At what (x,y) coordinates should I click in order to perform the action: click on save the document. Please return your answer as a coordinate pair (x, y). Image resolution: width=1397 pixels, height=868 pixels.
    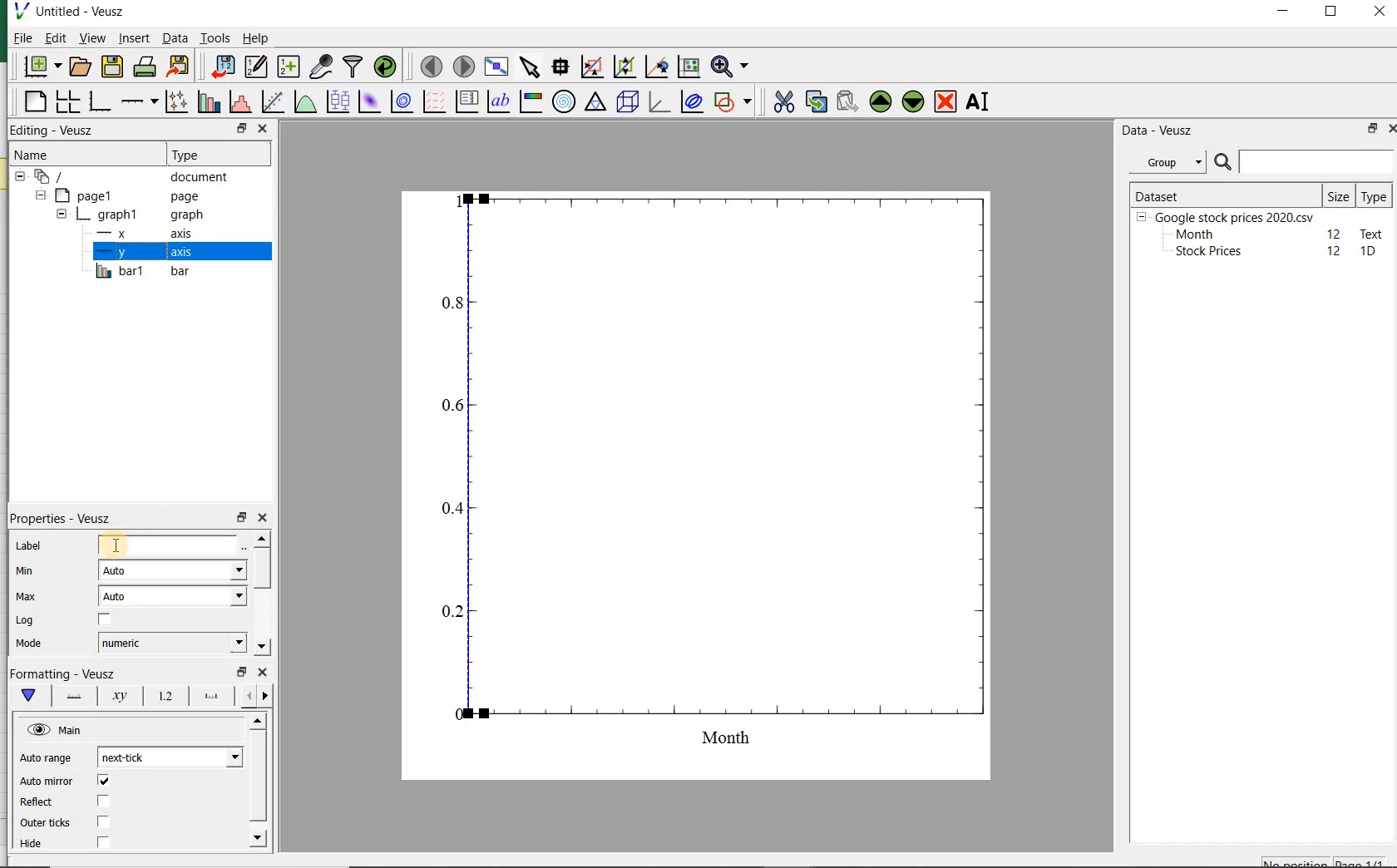
    Looking at the image, I should click on (112, 67).